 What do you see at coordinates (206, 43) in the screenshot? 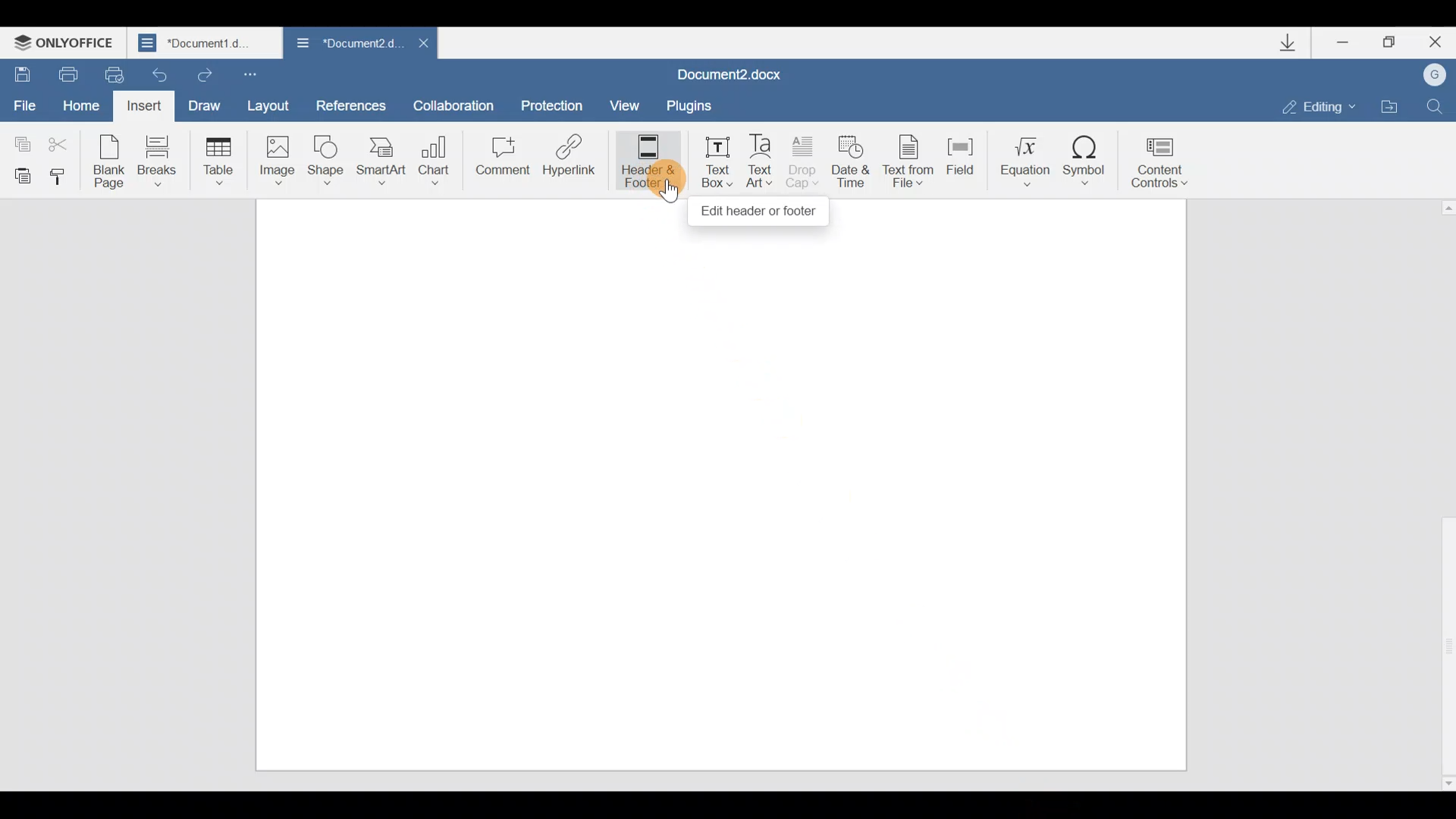
I see `Document1.d..` at bounding box center [206, 43].